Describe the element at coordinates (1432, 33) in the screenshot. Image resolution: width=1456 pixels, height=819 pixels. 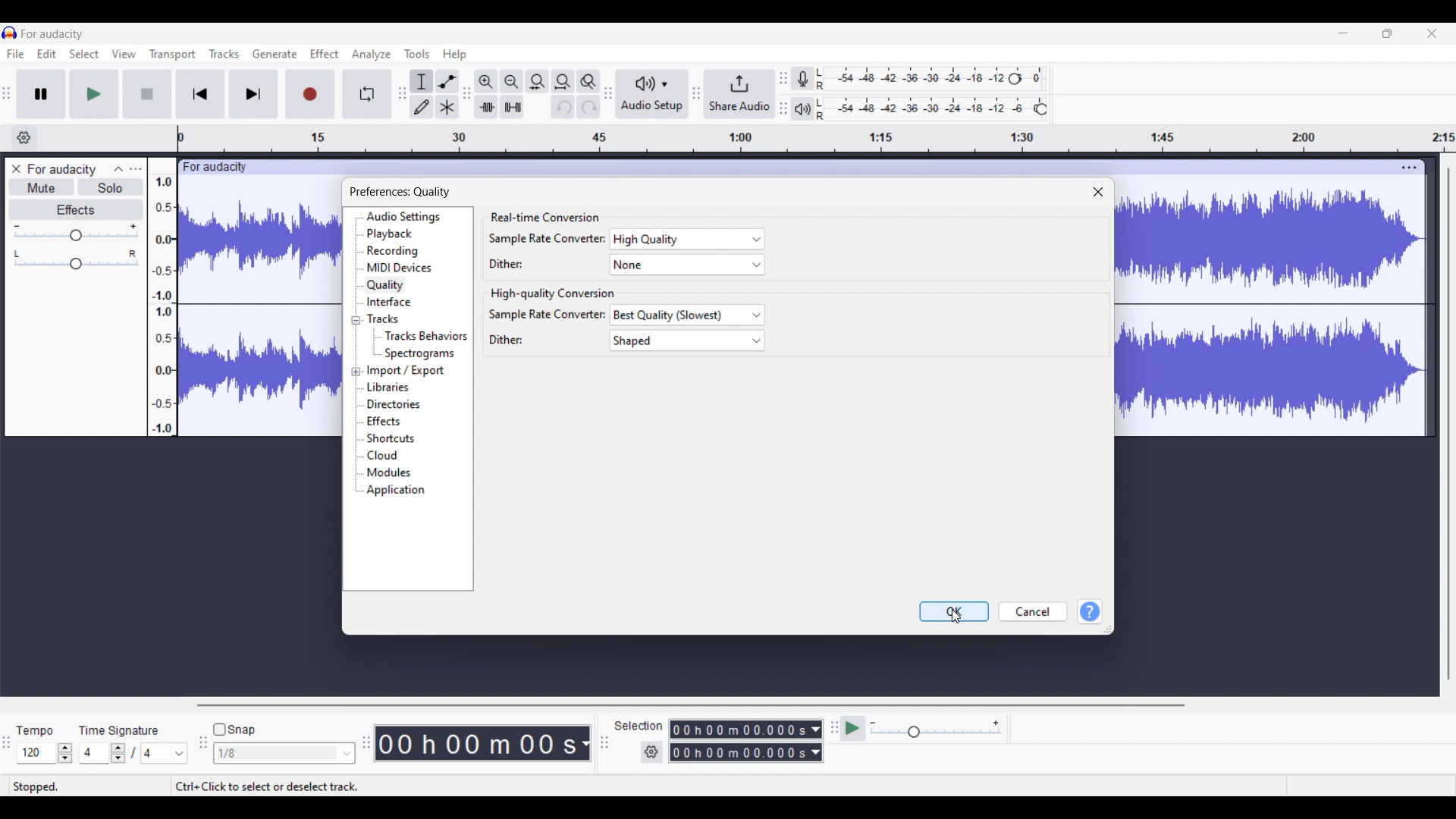
I see `Close interface` at that location.